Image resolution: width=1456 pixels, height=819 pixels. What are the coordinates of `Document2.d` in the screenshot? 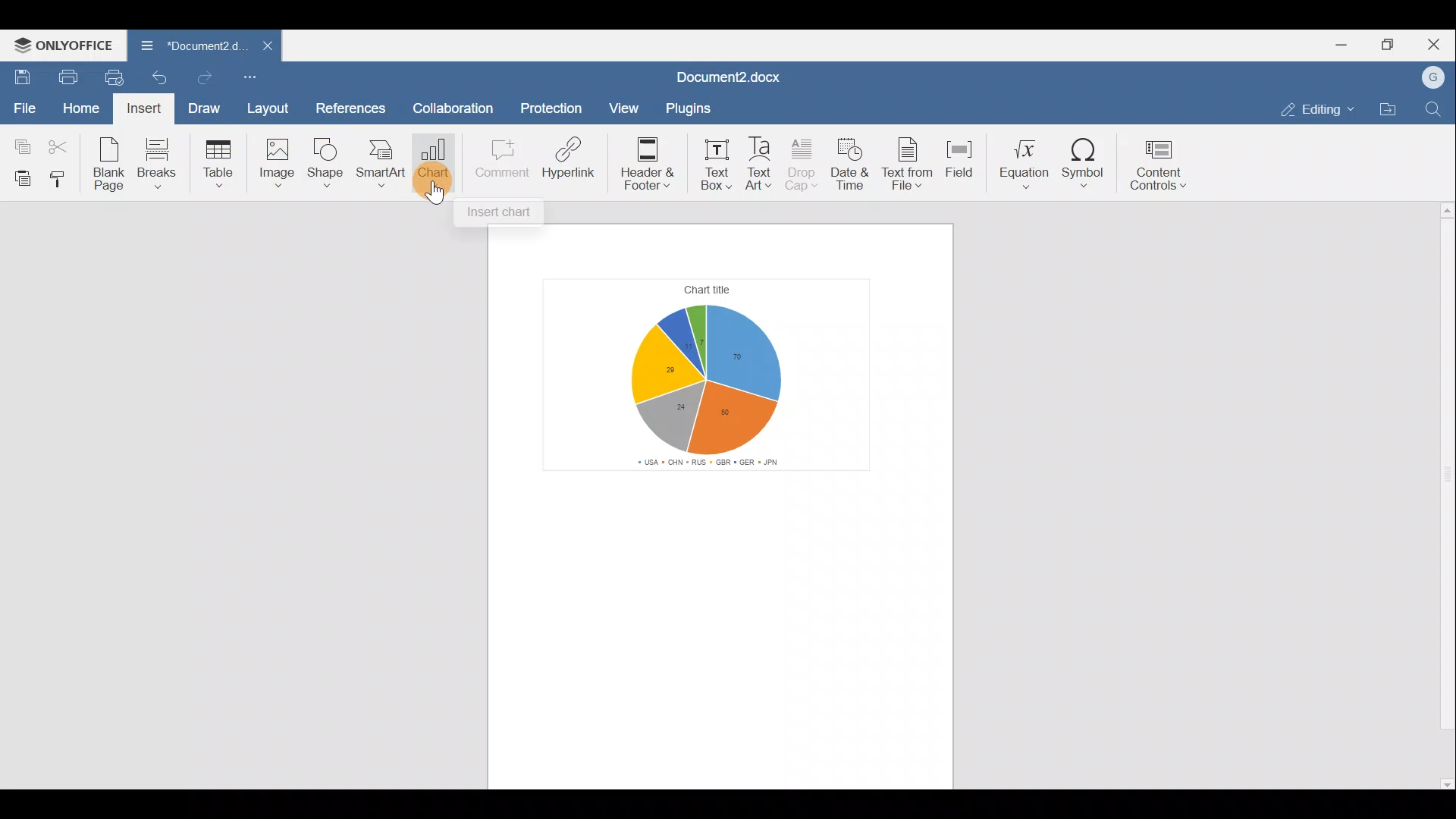 It's located at (185, 47).